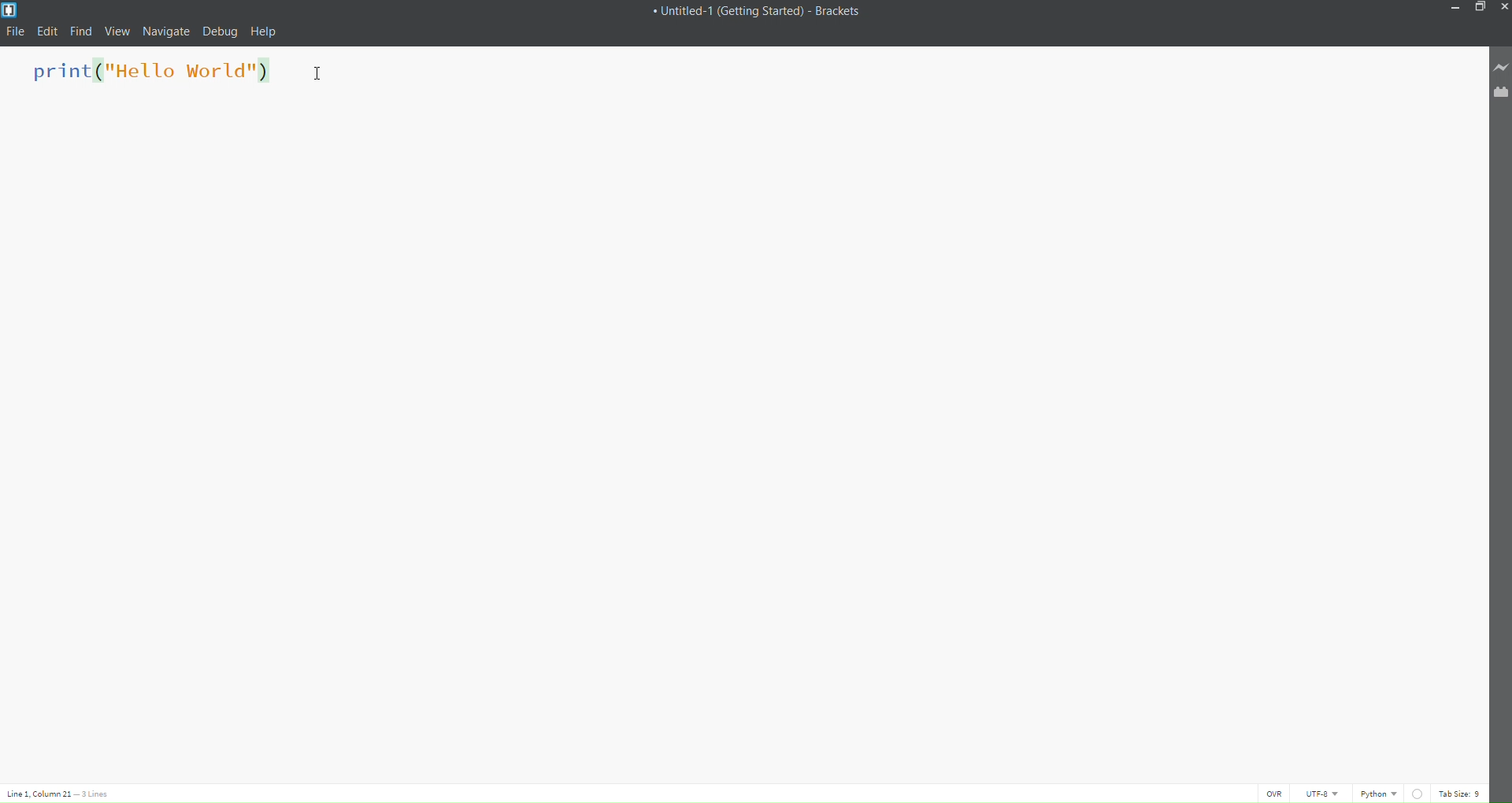 This screenshot has width=1512, height=803. I want to click on lines and columns, so click(60, 794).